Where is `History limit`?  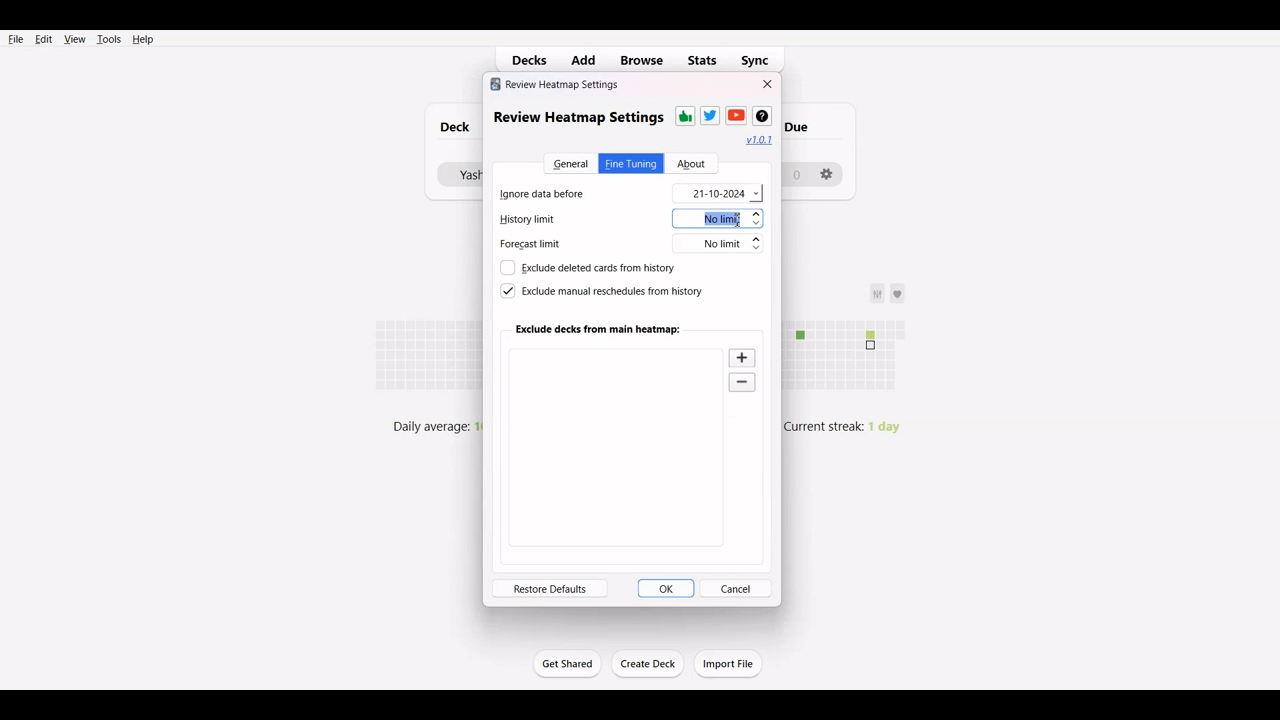
History limit is located at coordinates (547, 221).